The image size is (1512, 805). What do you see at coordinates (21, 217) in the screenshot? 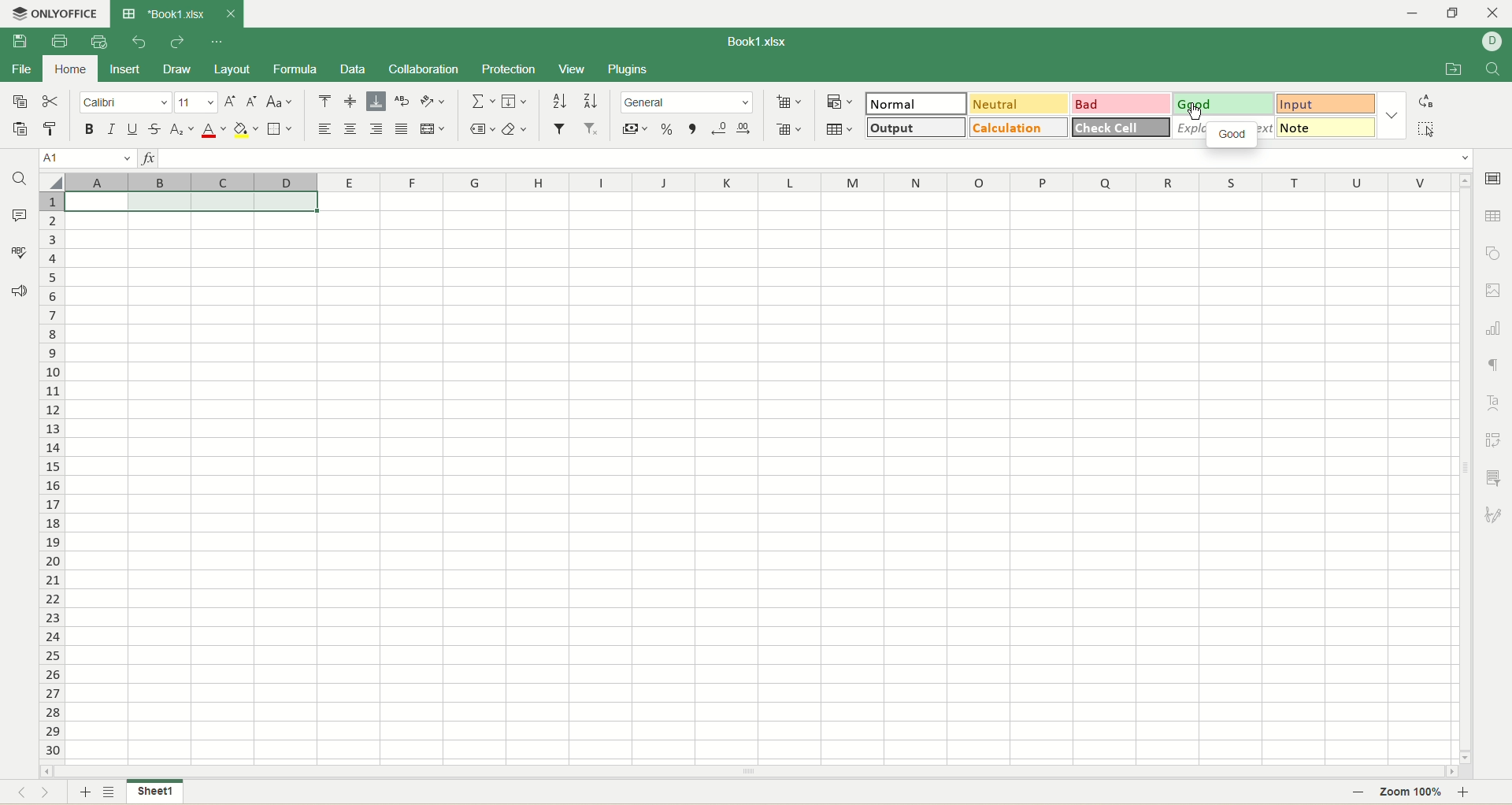
I see `comment` at bounding box center [21, 217].